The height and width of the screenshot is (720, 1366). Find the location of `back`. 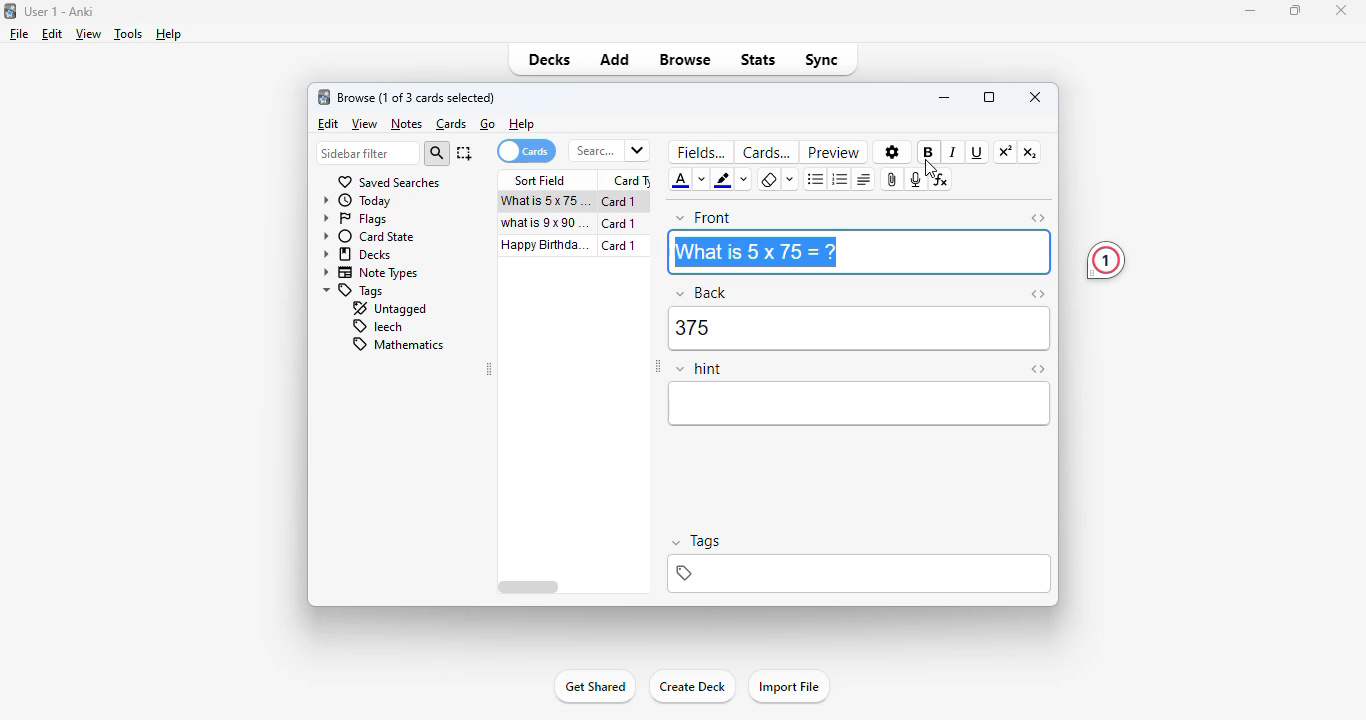

back is located at coordinates (702, 293).